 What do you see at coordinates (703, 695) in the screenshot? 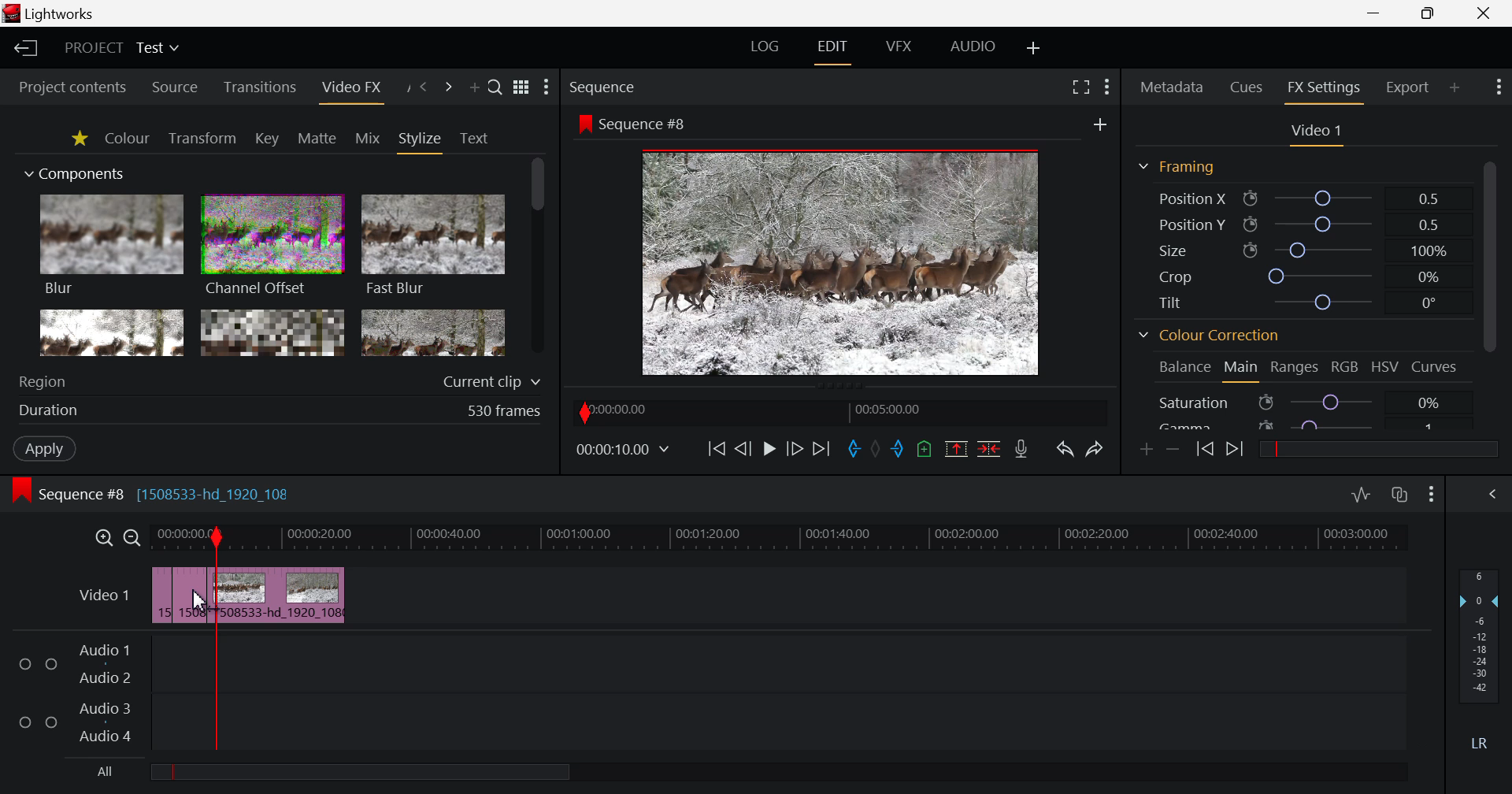
I see `Audio Input Fields` at bounding box center [703, 695].